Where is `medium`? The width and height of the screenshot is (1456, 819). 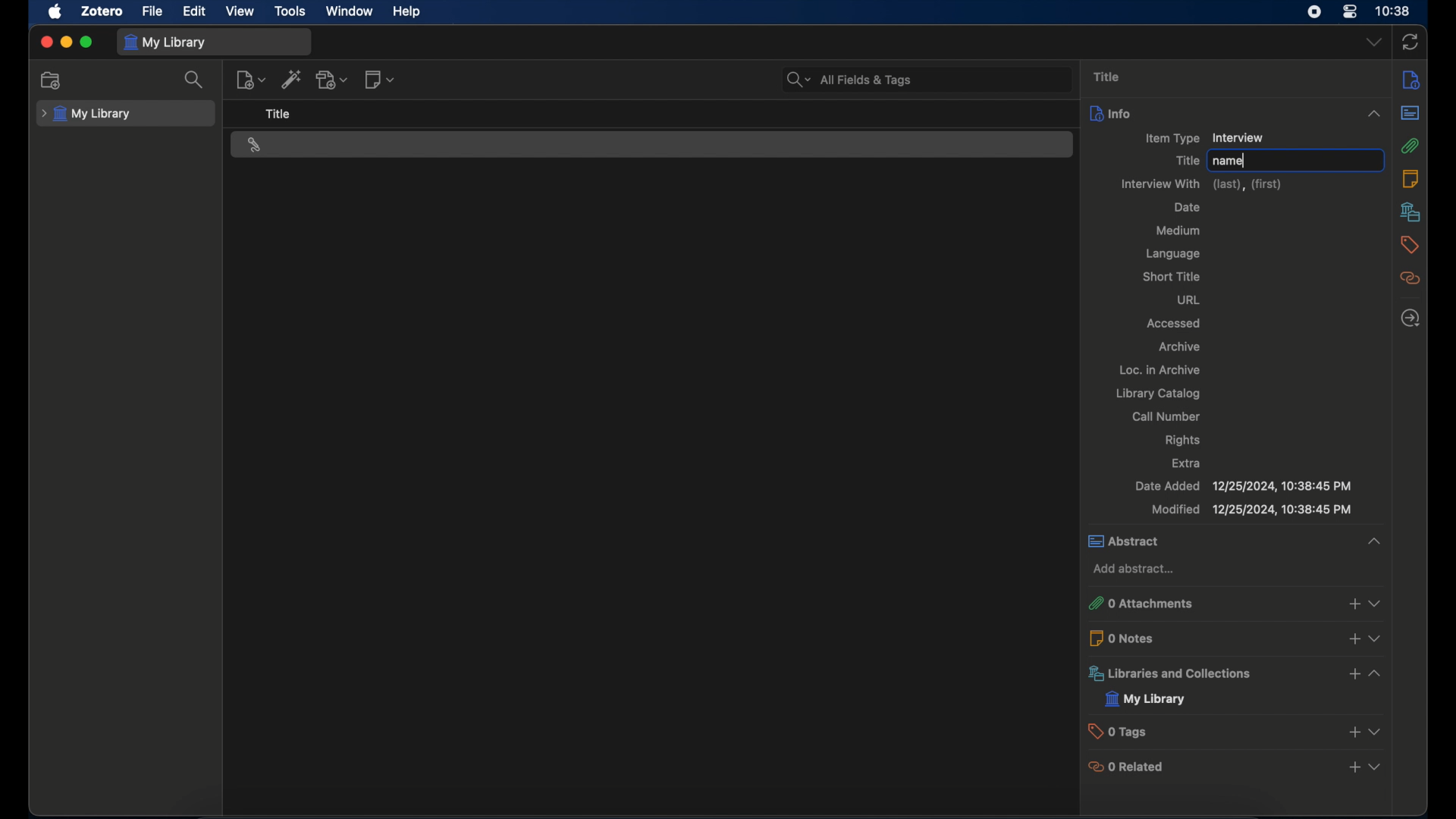 medium is located at coordinates (1178, 231).